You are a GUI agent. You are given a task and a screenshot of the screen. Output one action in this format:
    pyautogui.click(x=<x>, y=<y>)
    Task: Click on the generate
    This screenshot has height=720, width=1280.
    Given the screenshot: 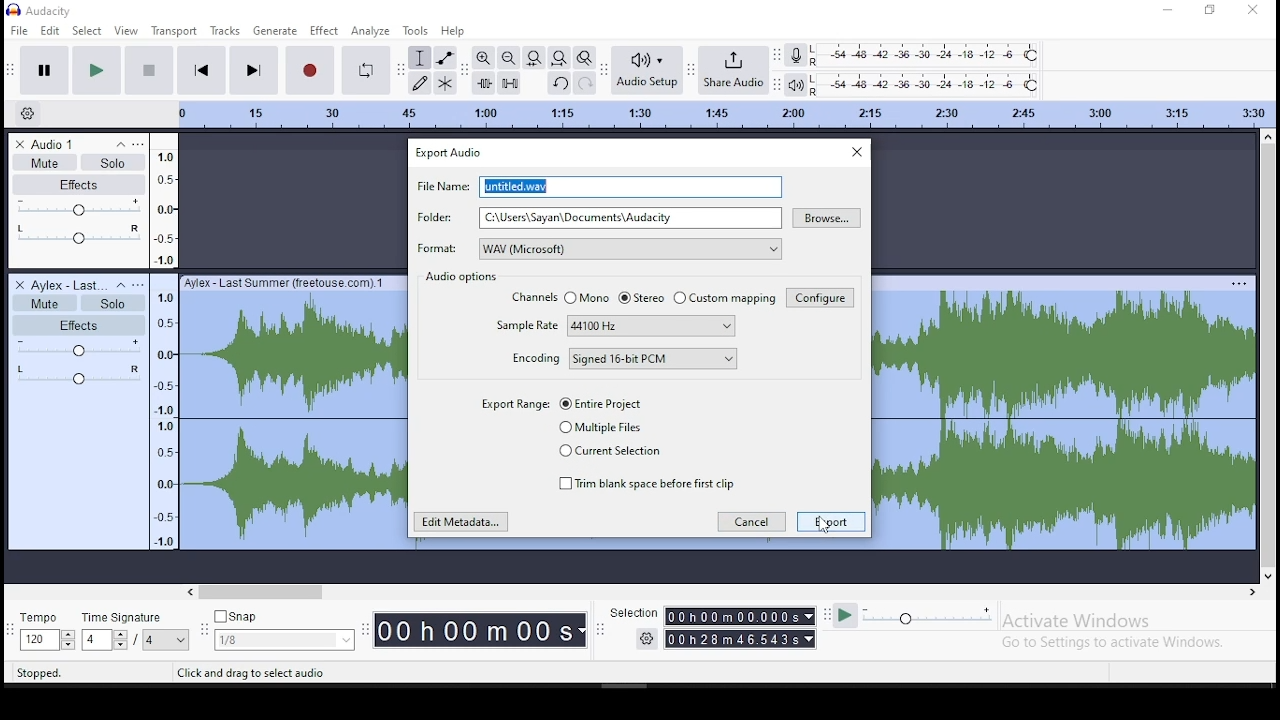 What is the action you would take?
    pyautogui.click(x=276, y=30)
    